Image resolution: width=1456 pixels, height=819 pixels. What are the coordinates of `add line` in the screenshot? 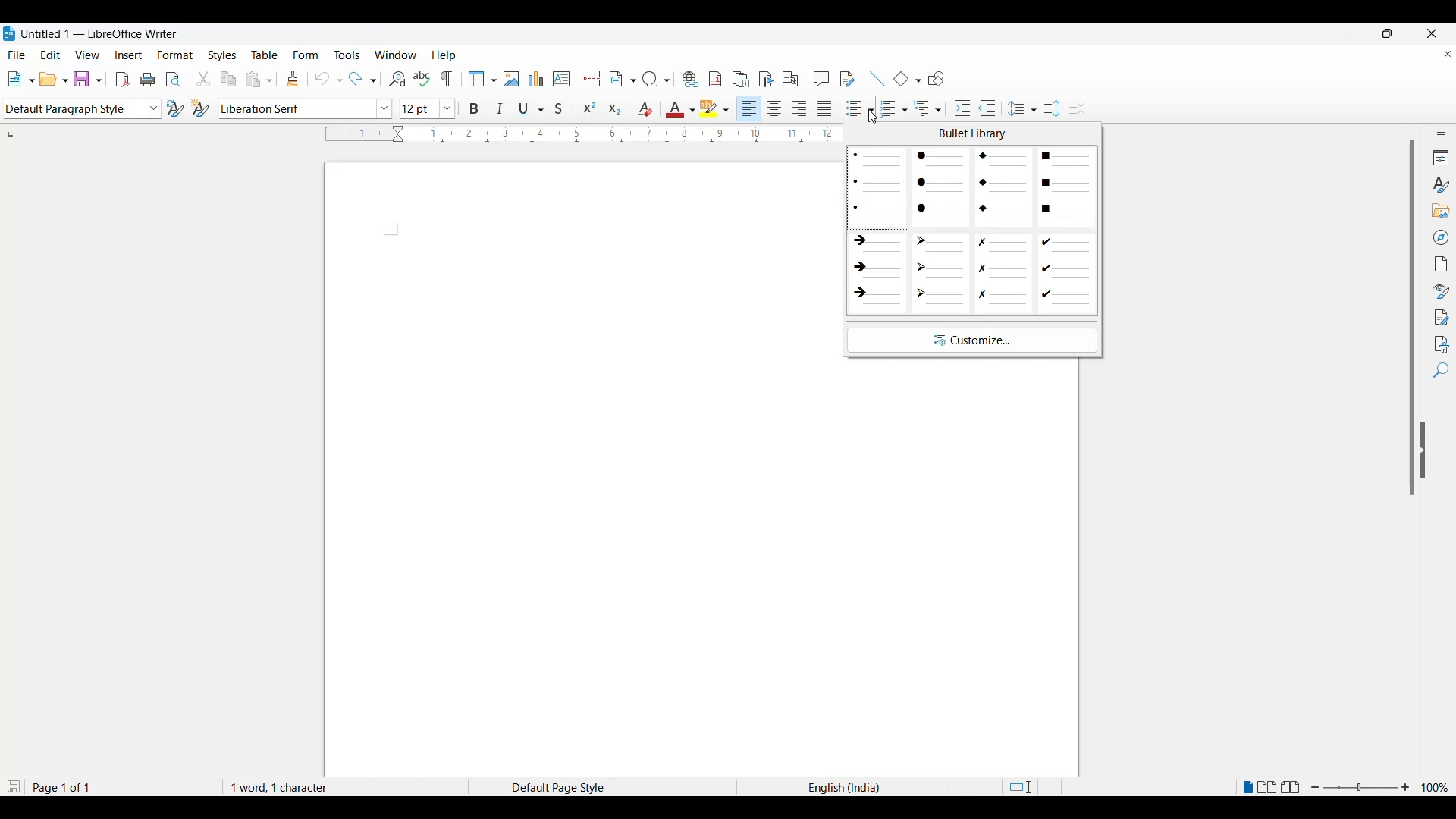 It's located at (875, 77).